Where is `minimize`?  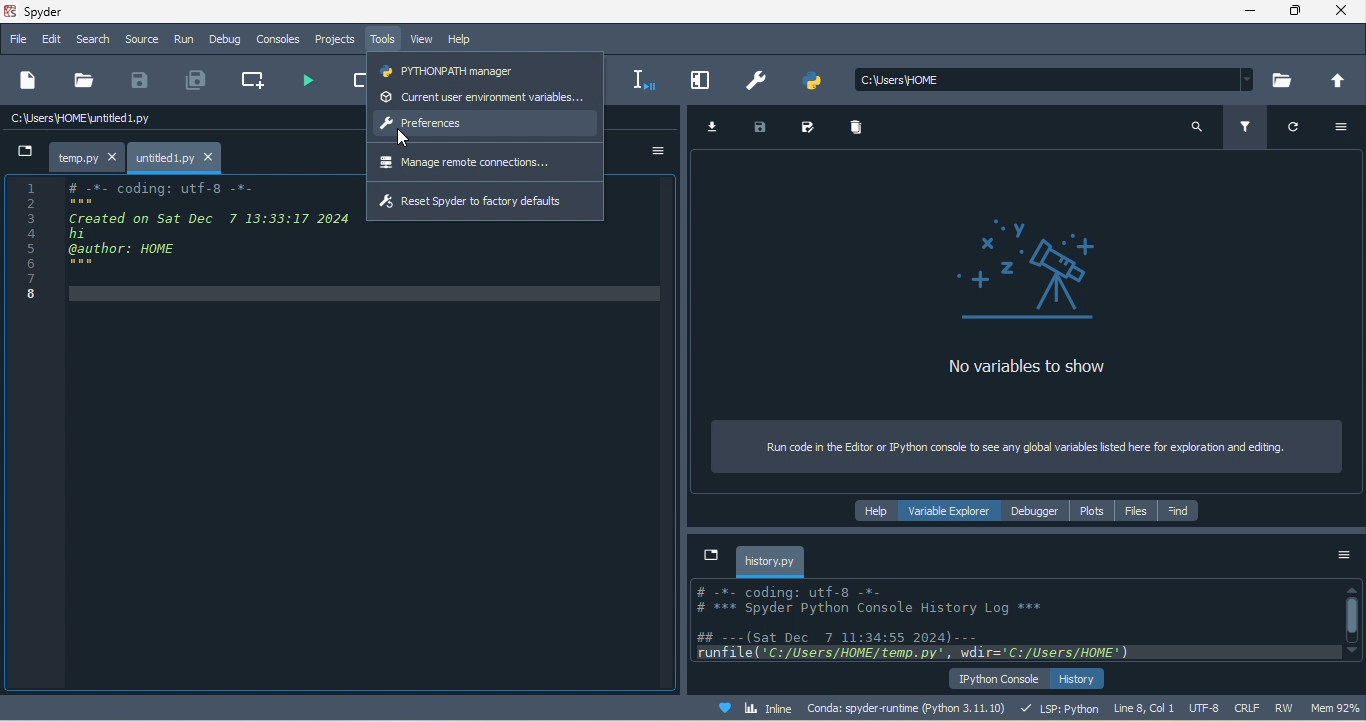 minimize is located at coordinates (1255, 13).